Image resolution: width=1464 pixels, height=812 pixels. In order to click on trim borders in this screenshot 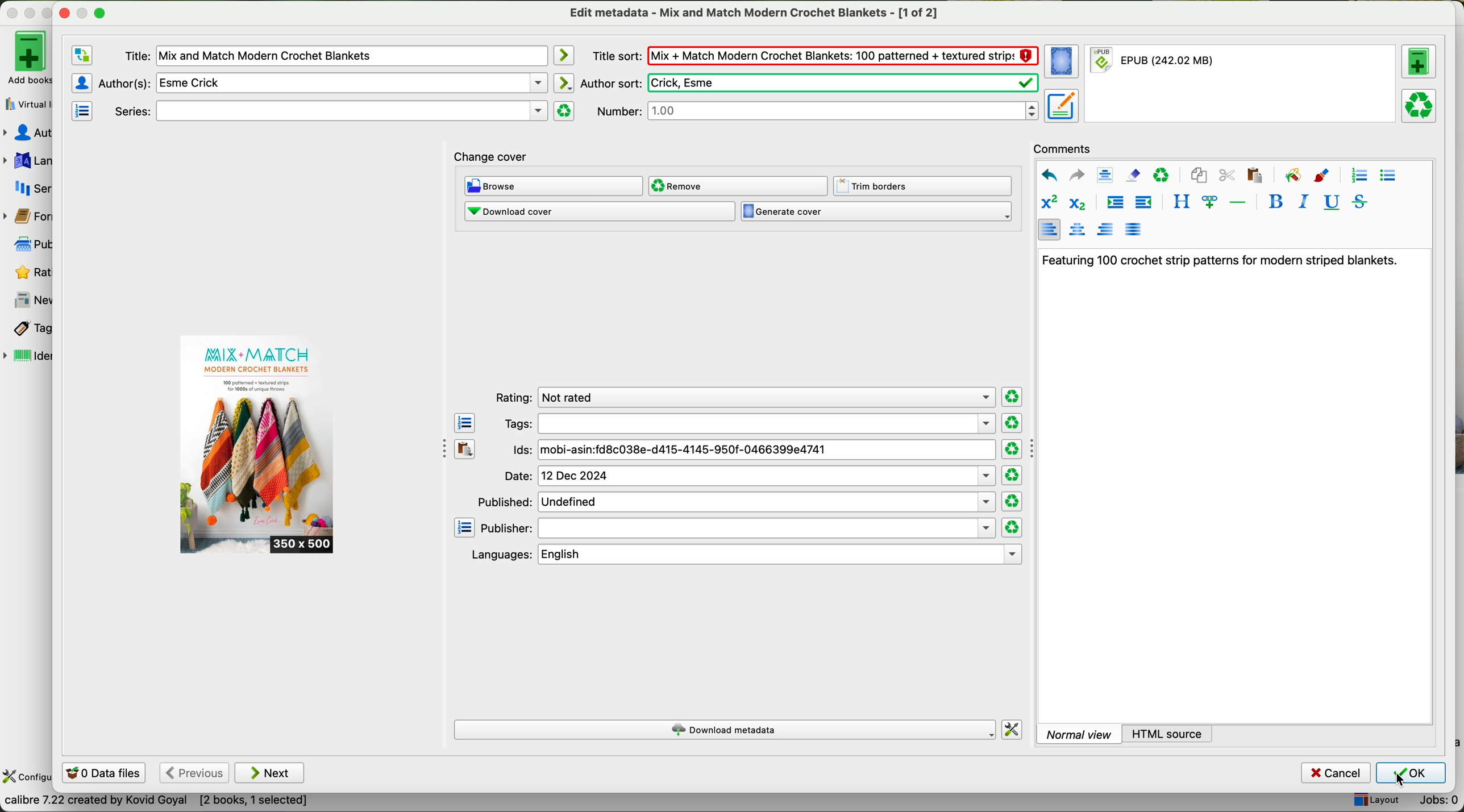, I will do `click(926, 186)`.